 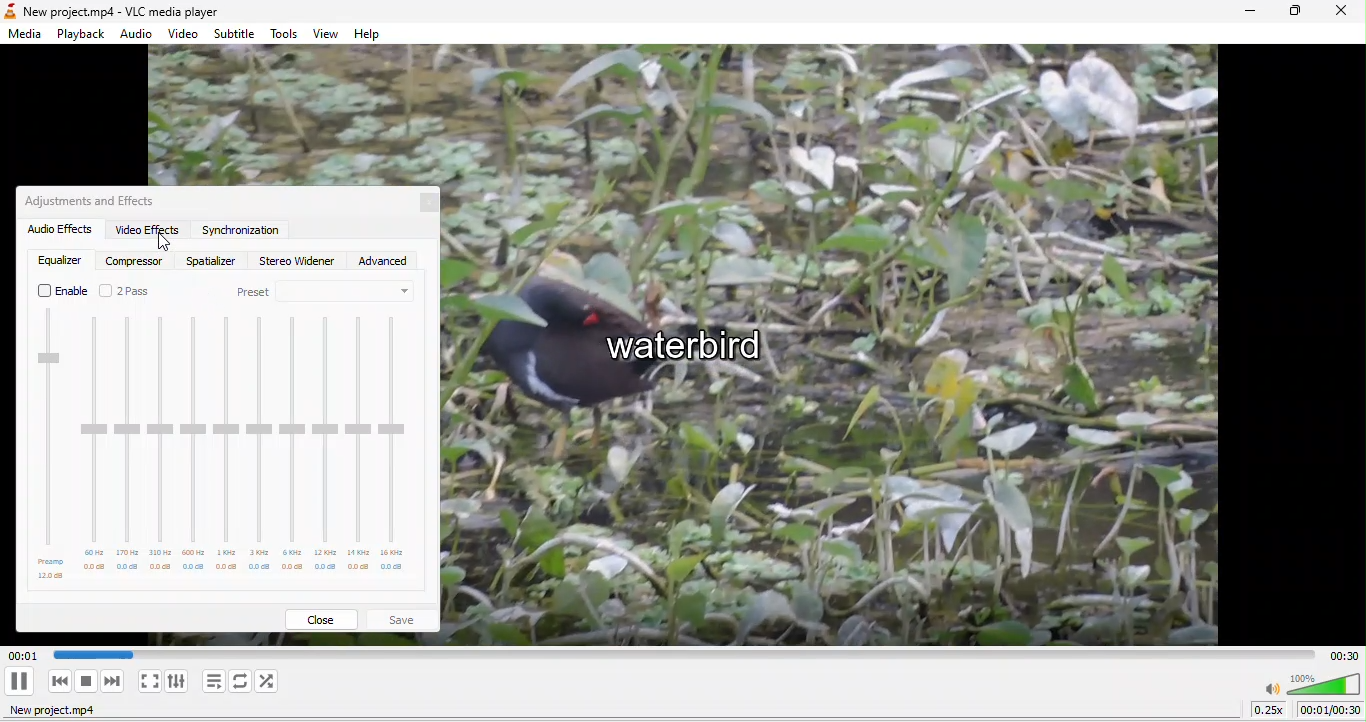 I want to click on random, so click(x=271, y=681).